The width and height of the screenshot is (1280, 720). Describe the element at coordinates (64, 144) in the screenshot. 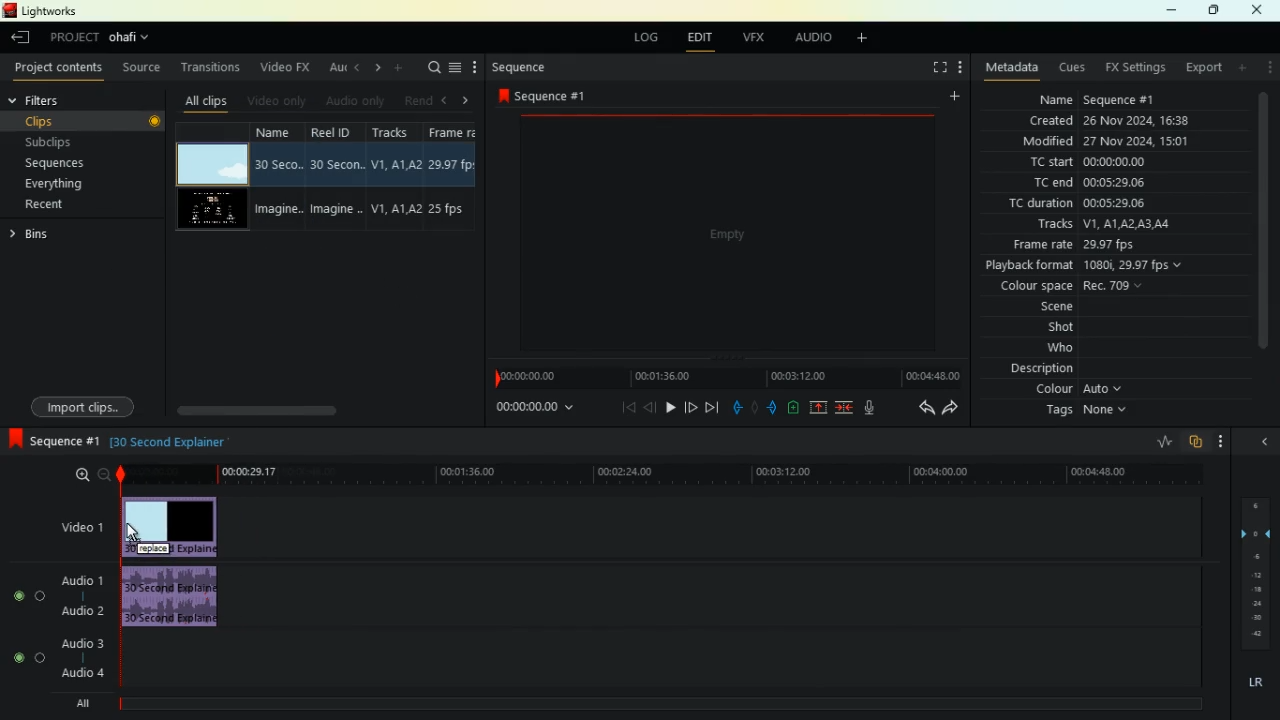

I see `subclips` at that location.